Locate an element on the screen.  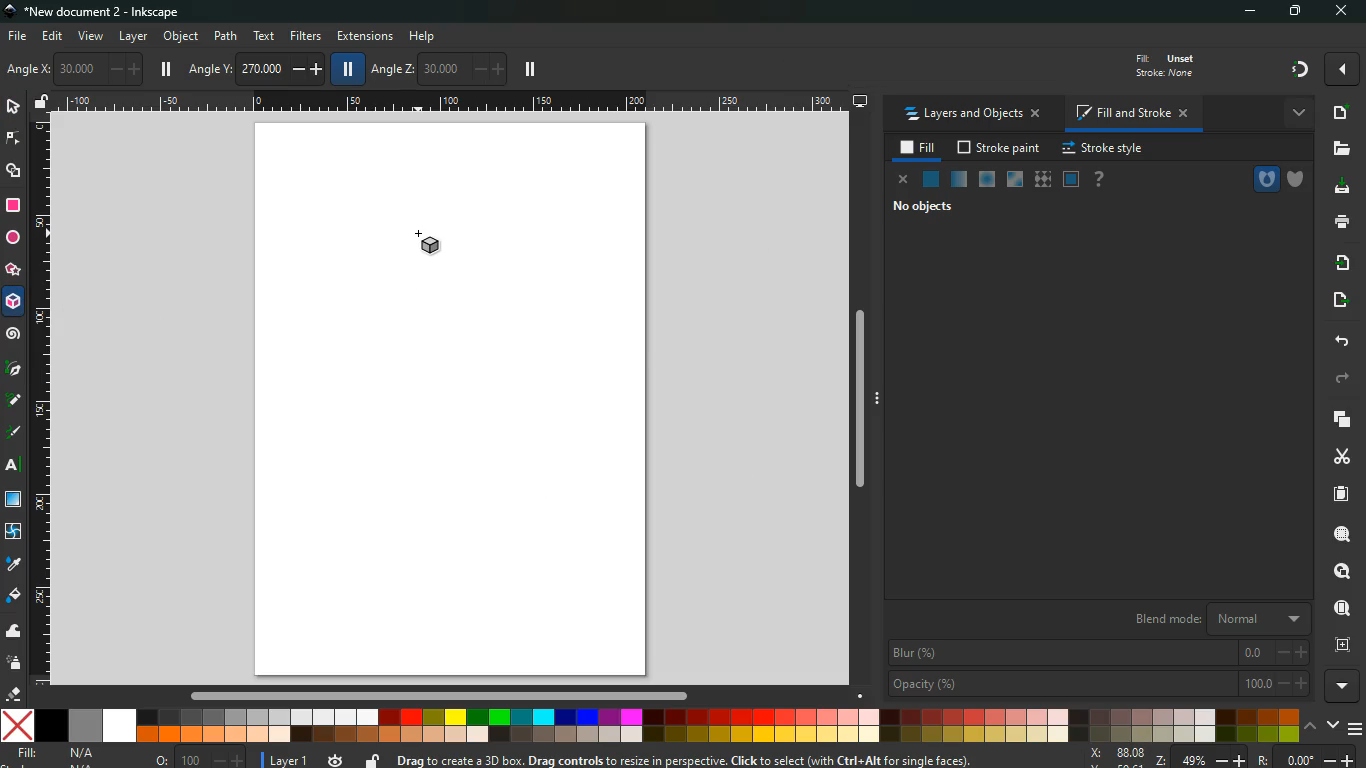
opacity is located at coordinates (1097, 682).